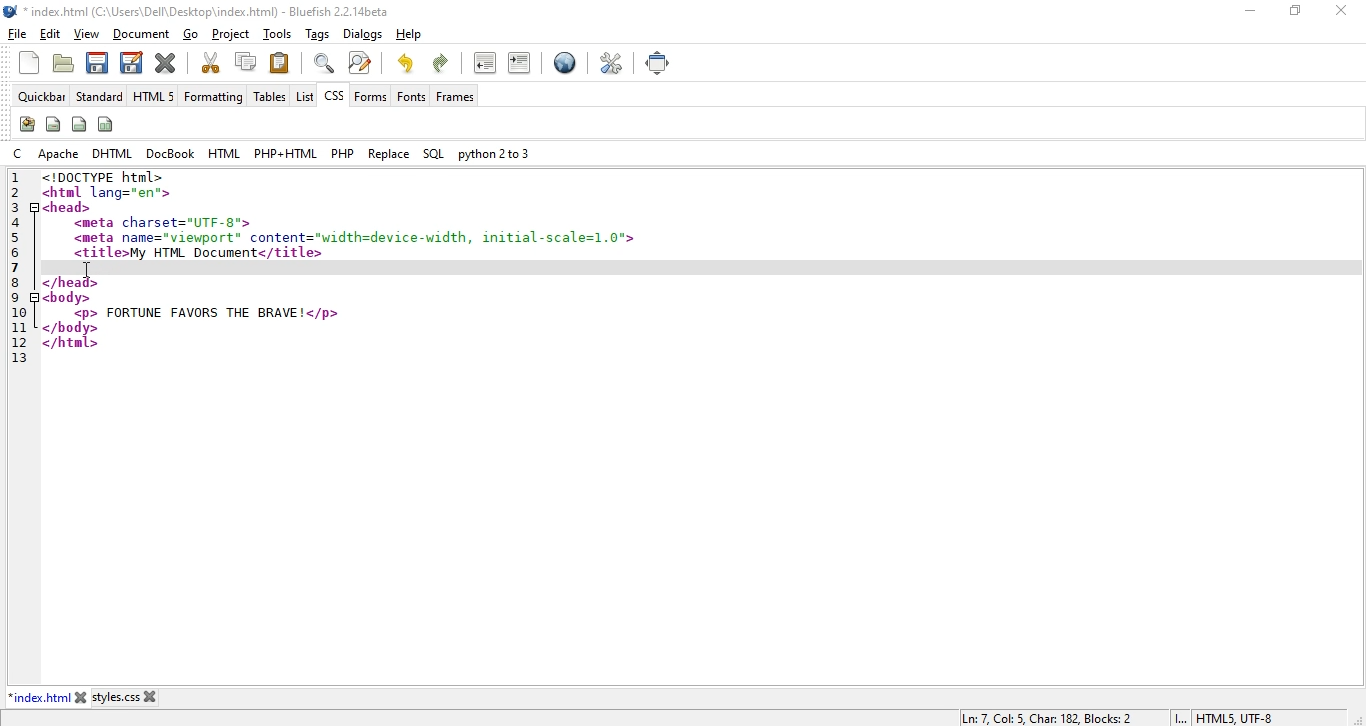 The height and width of the screenshot is (726, 1366). What do you see at coordinates (172, 153) in the screenshot?
I see `docbook` at bounding box center [172, 153].